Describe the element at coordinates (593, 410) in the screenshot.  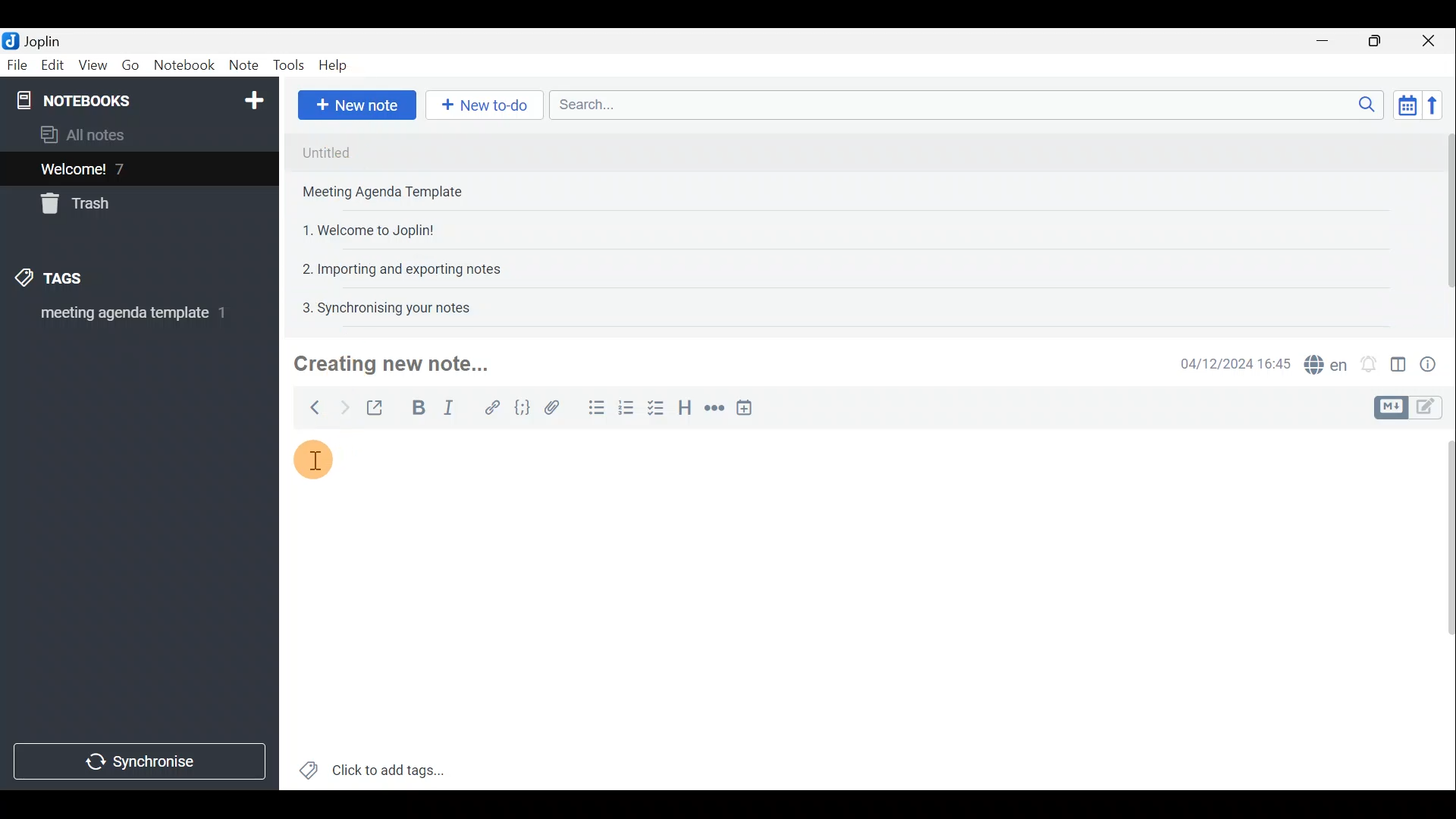
I see `Bulleted list` at that location.